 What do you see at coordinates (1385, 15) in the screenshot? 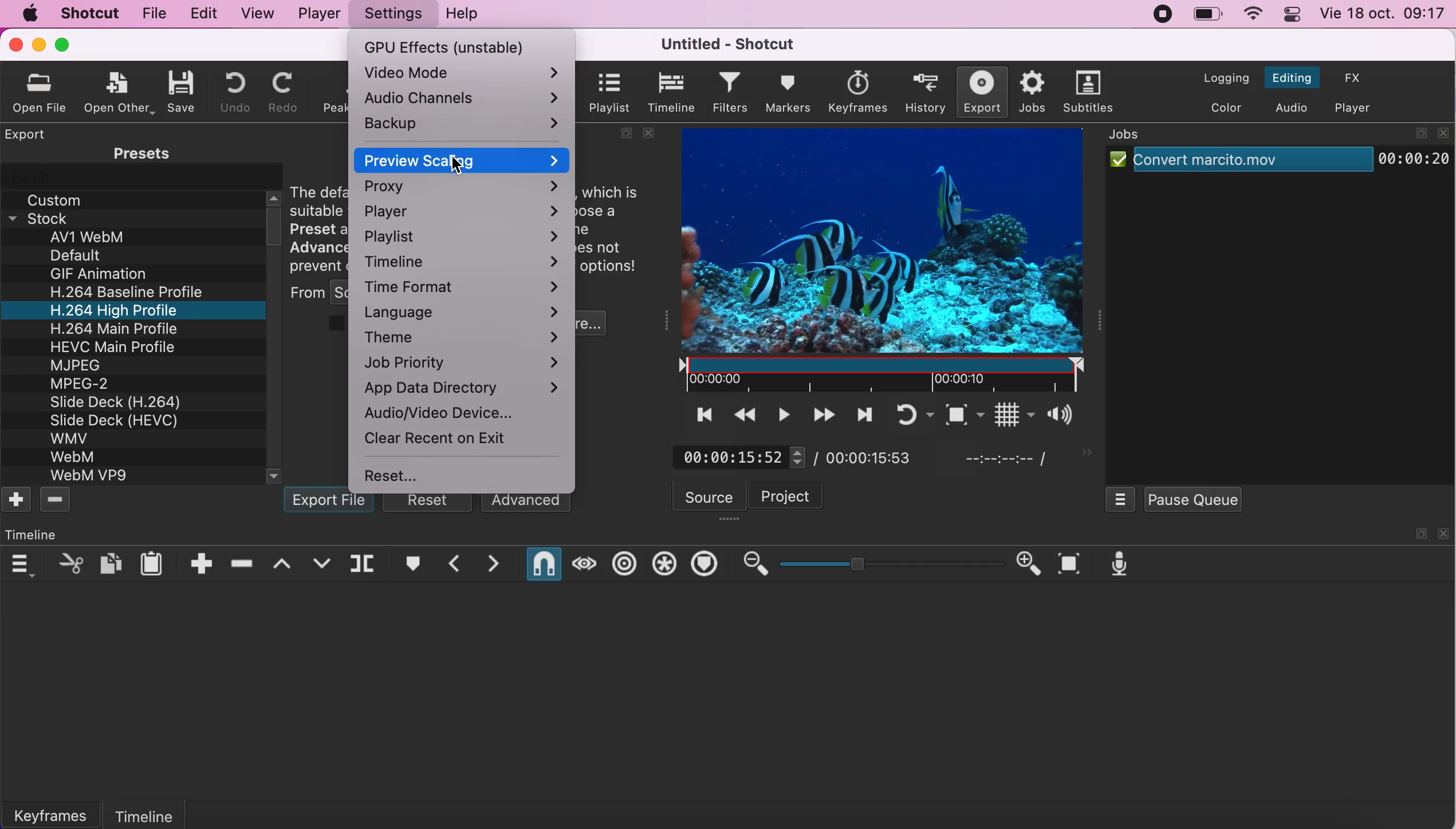
I see `time and date` at bounding box center [1385, 15].